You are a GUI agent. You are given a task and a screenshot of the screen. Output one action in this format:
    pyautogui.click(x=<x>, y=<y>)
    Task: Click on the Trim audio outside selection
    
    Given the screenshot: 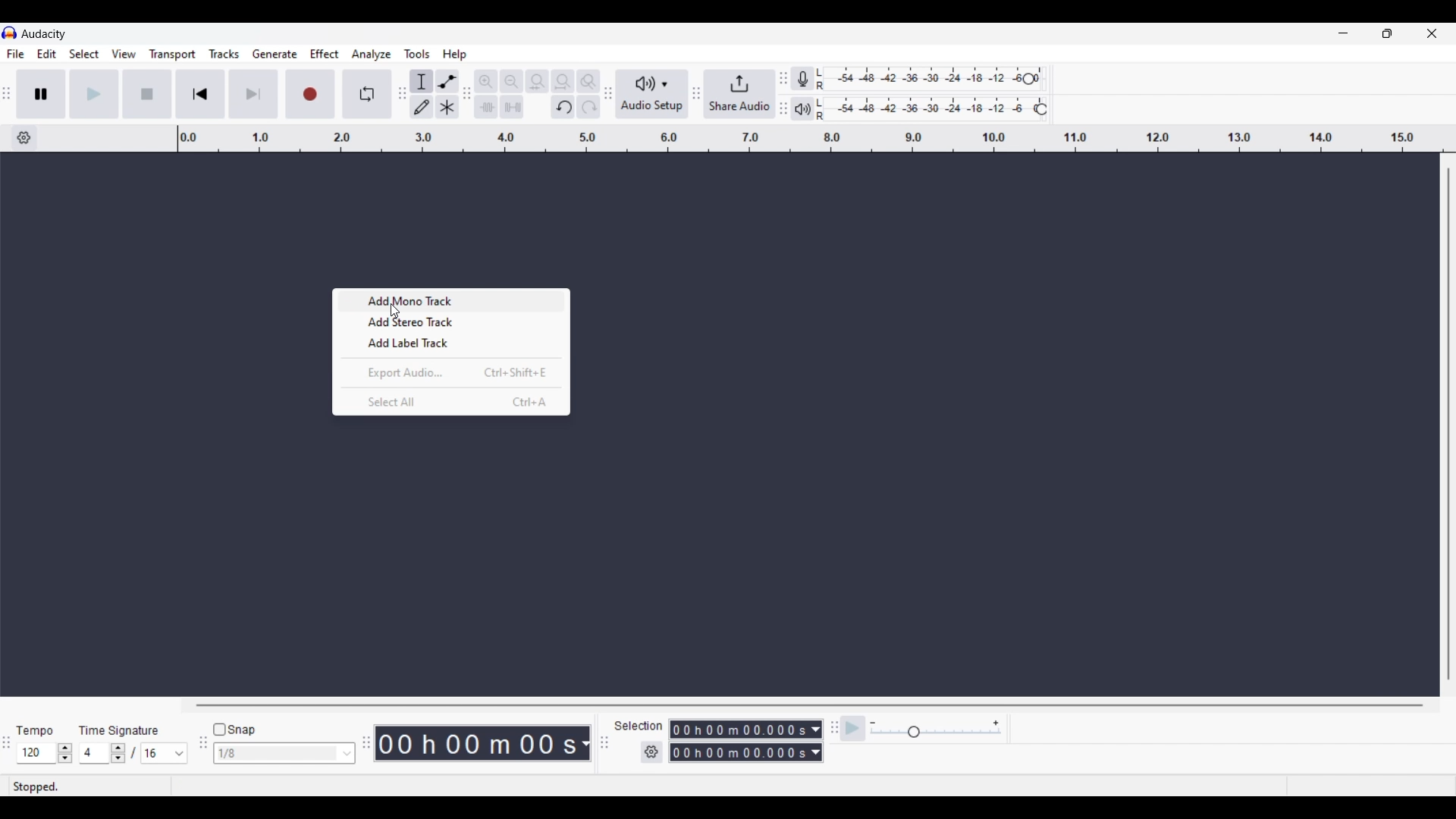 What is the action you would take?
    pyautogui.click(x=485, y=106)
    